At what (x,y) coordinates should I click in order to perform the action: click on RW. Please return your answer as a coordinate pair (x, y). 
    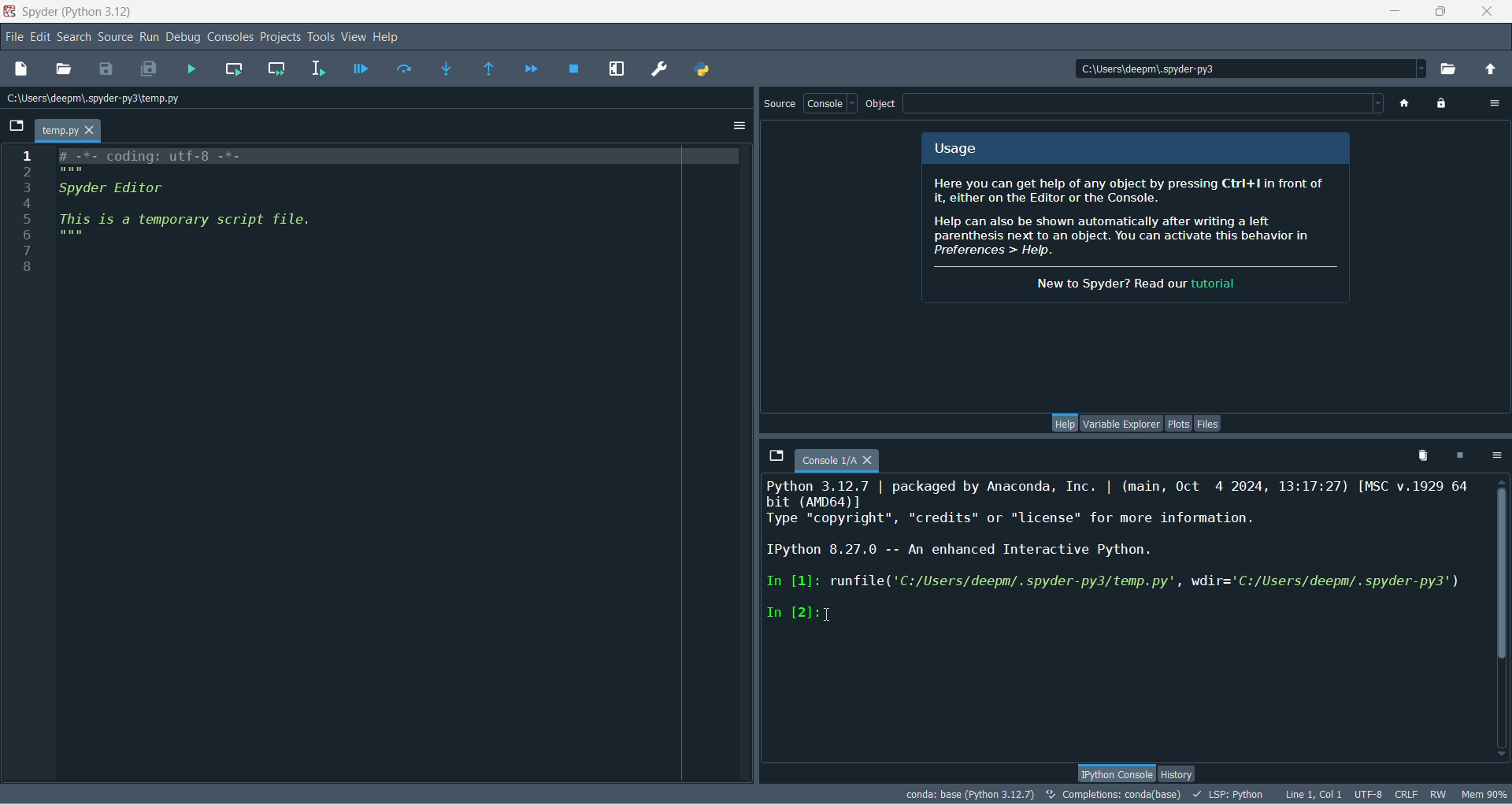
    Looking at the image, I should click on (1440, 795).